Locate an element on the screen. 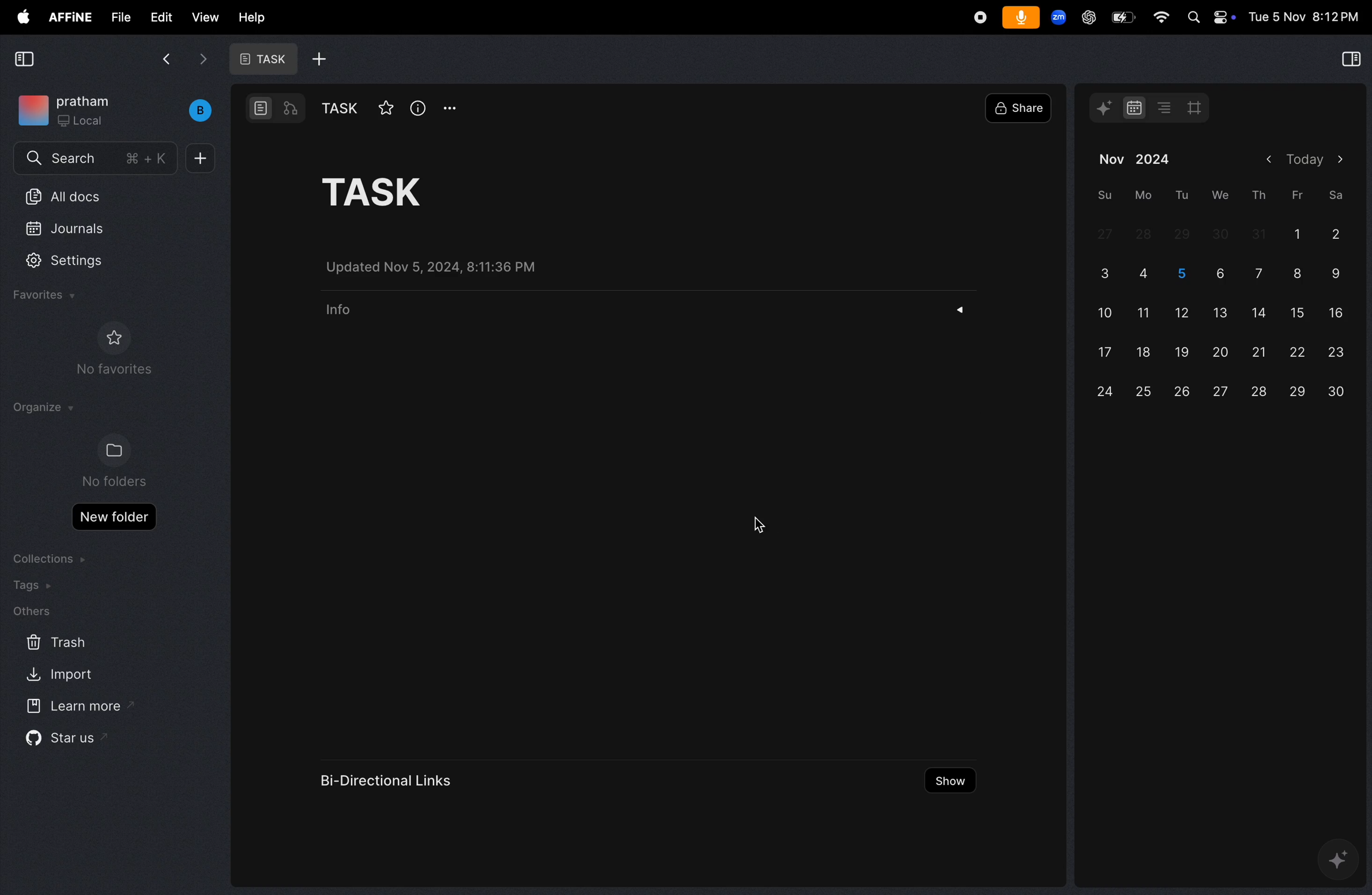 This screenshot has width=1372, height=895. task is located at coordinates (260, 59).